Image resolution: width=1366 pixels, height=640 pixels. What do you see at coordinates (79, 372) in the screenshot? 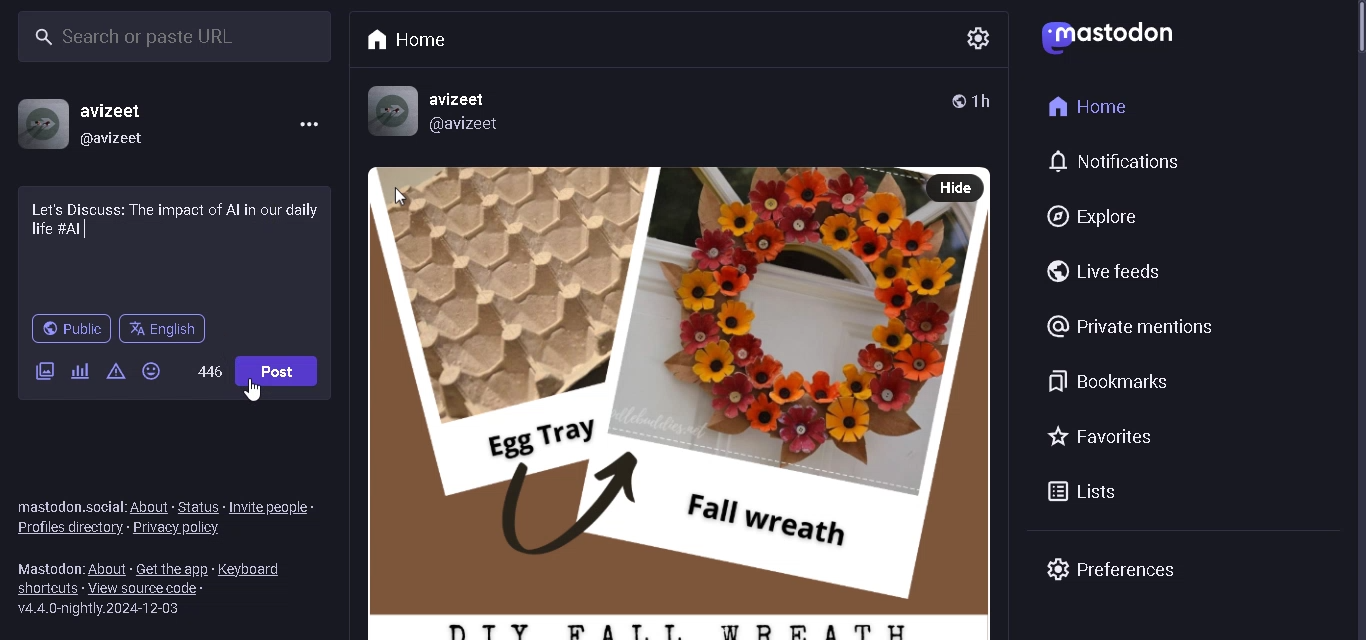
I see `ADD POLL` at bounding box center [79, 372].